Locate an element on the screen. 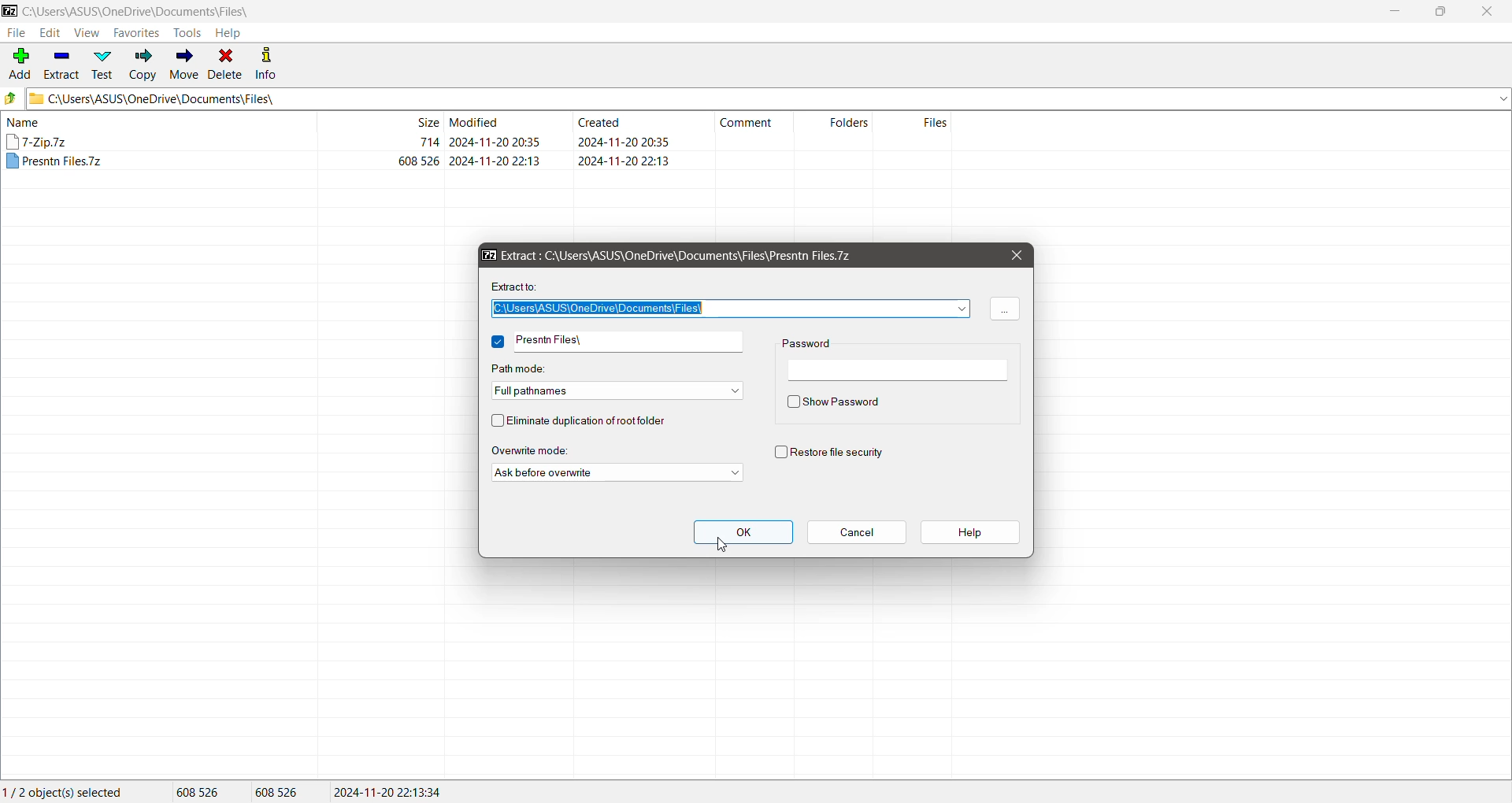 The width and height of the screenshot is (1512, 803). Sie of the last fie selected is located at coordinates (280, 793).